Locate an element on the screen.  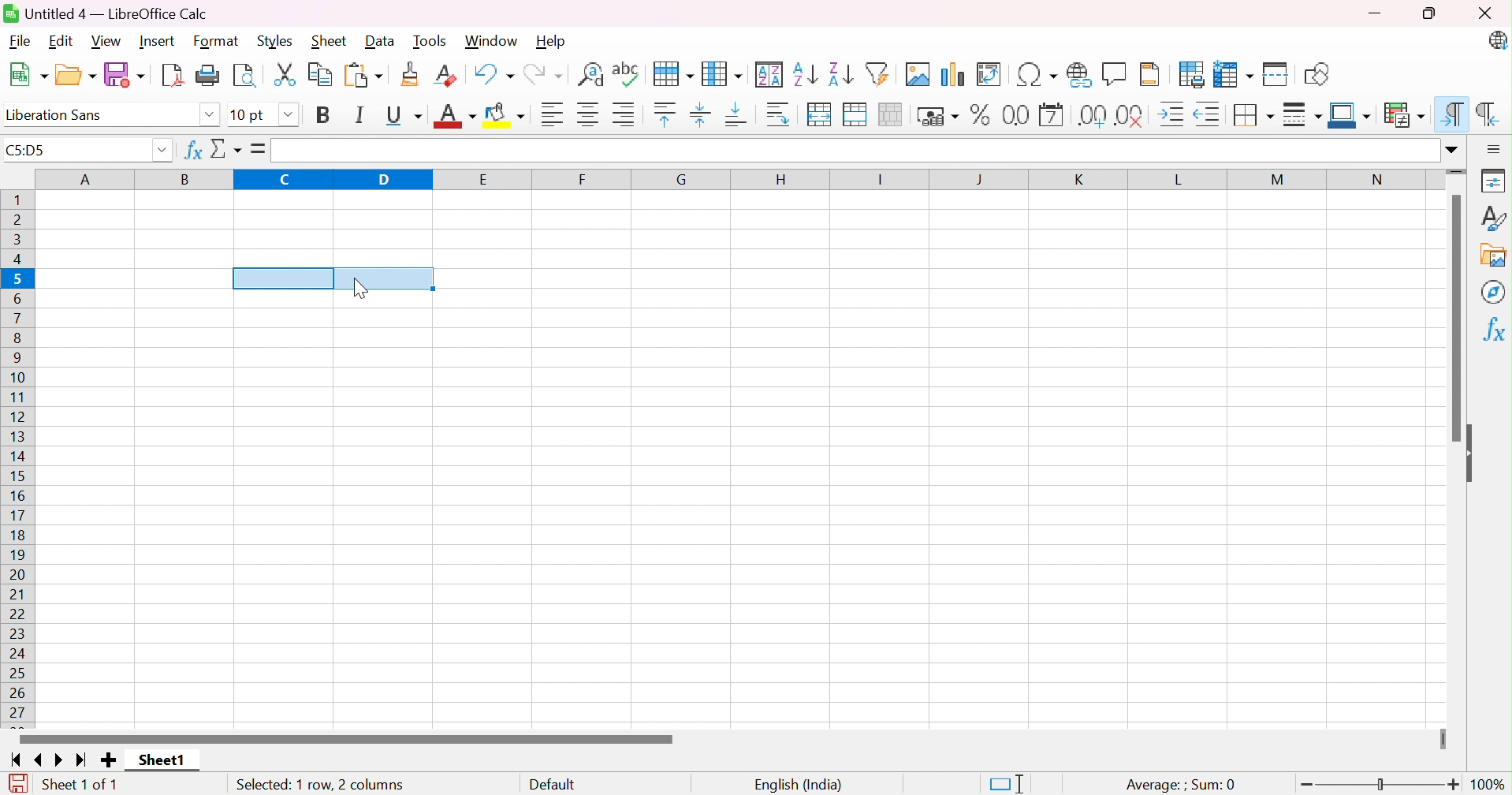
Align Top is located at coordinates (664, 114).